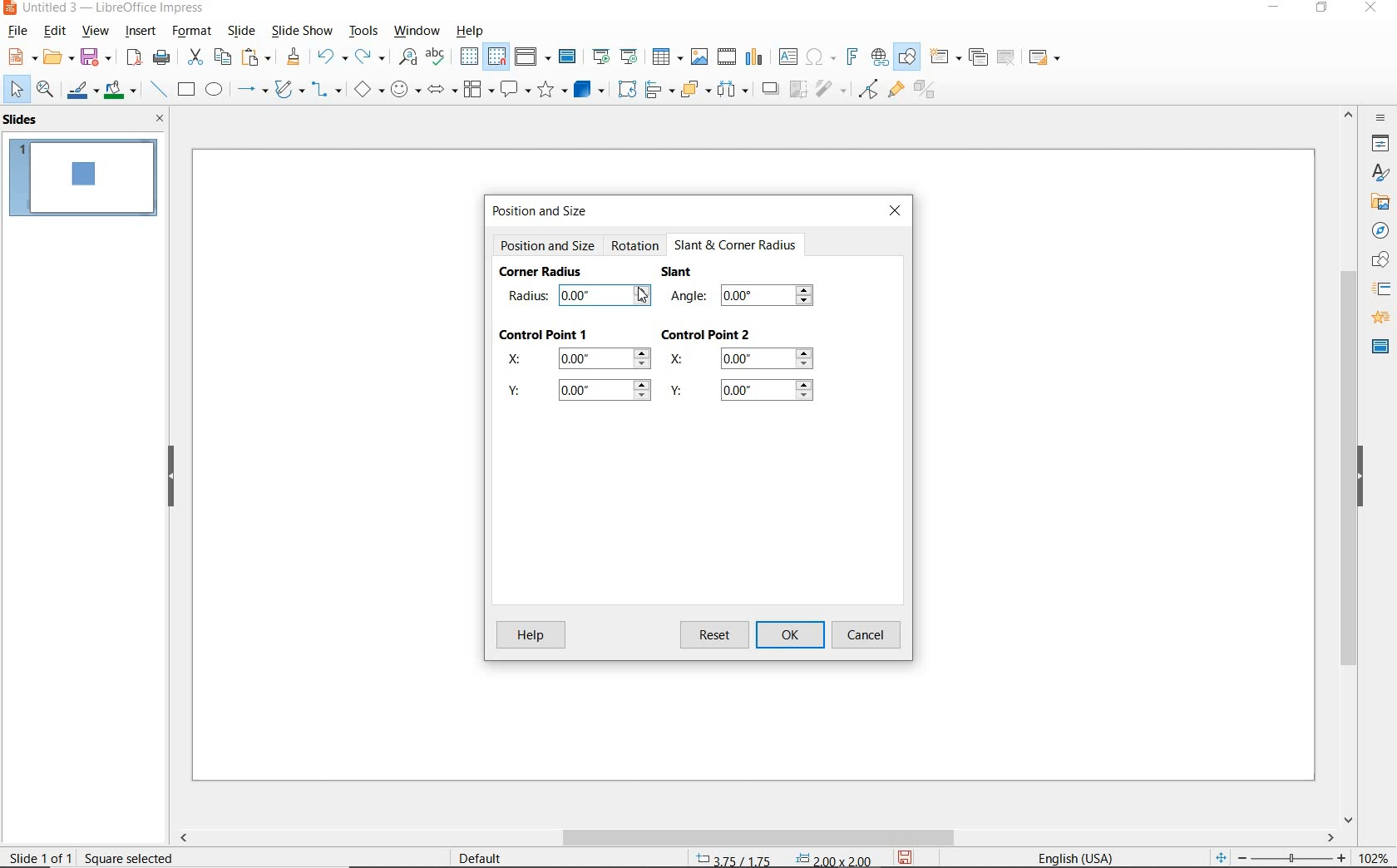 This screenshot has width=1397, height=868. Describe the element at coordinates (745, 361) in the screenshot. I see `X` at that location.